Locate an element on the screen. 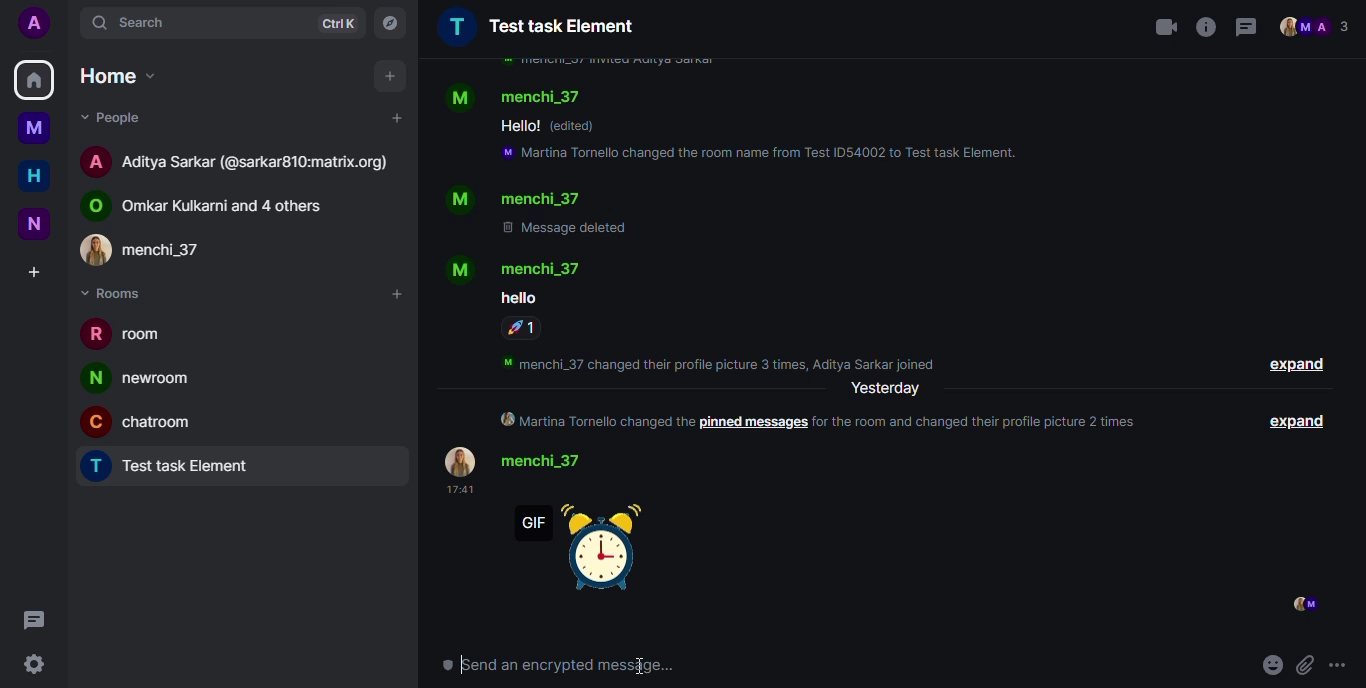  search is located at coordinates (141, 19).